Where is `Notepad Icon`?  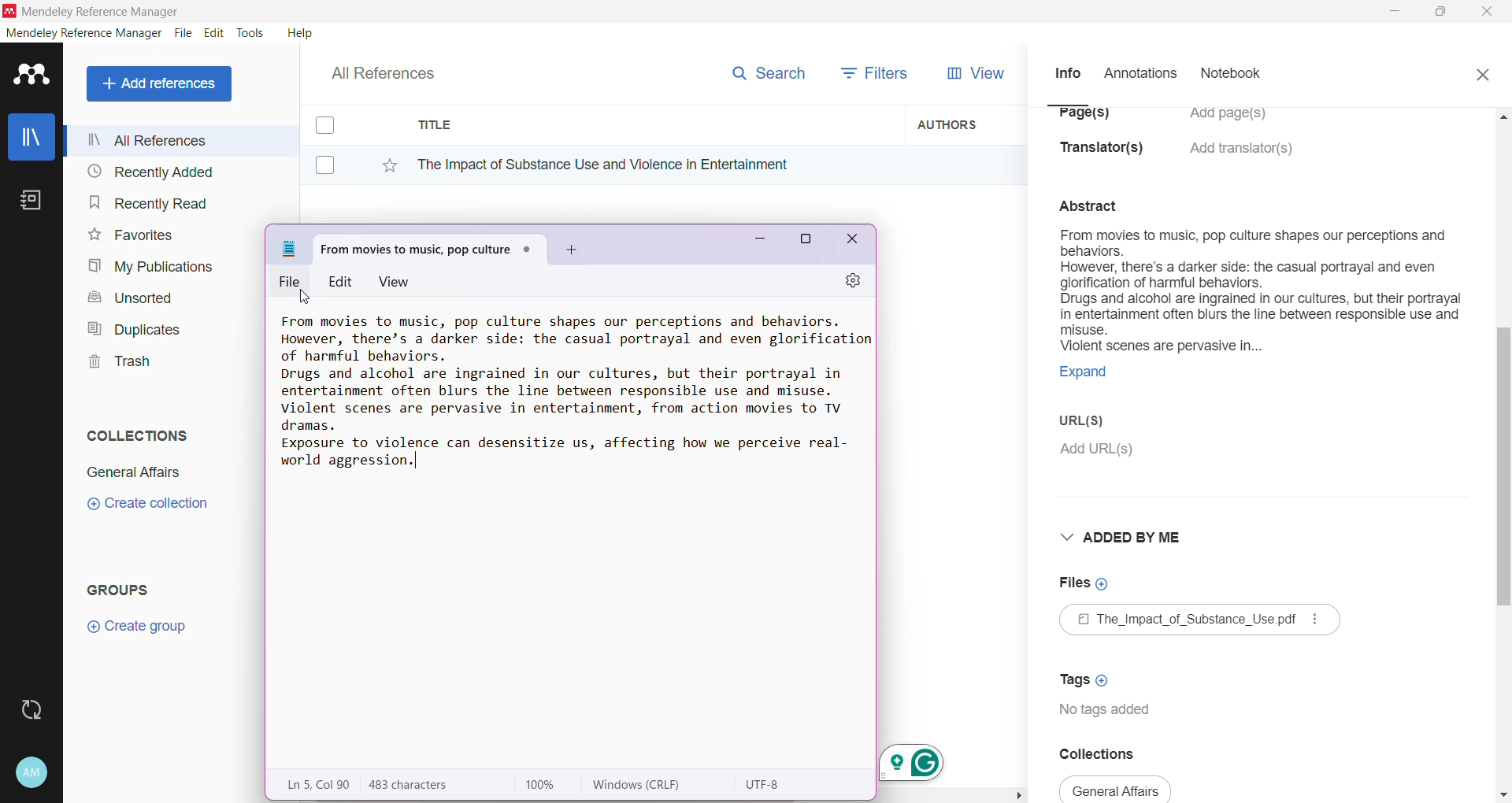 Notepad Icon is located at coordinates (290, 249).